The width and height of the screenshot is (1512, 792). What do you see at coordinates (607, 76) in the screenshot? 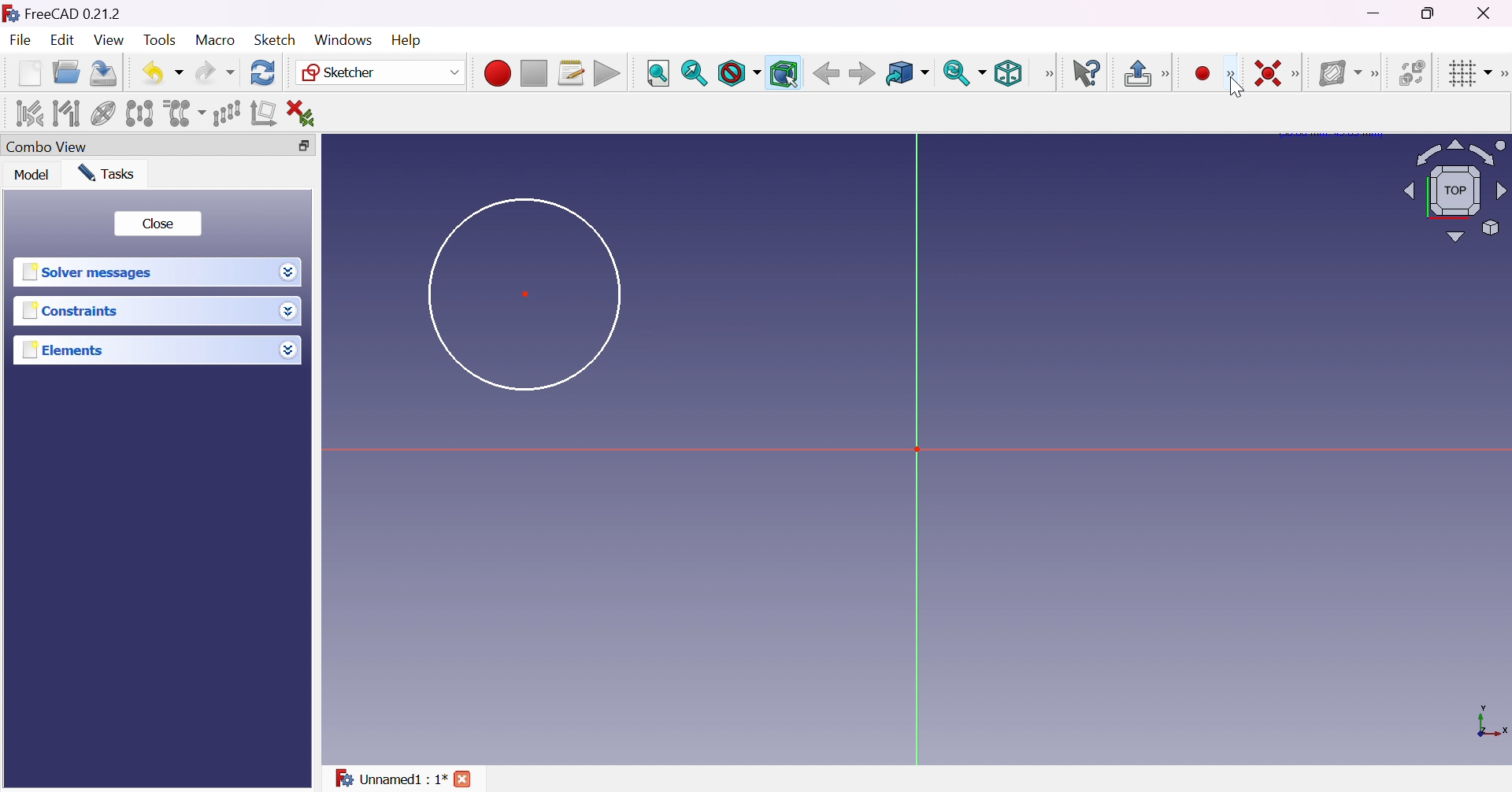
I see `Execute macro` at bounding box center [607, 76].